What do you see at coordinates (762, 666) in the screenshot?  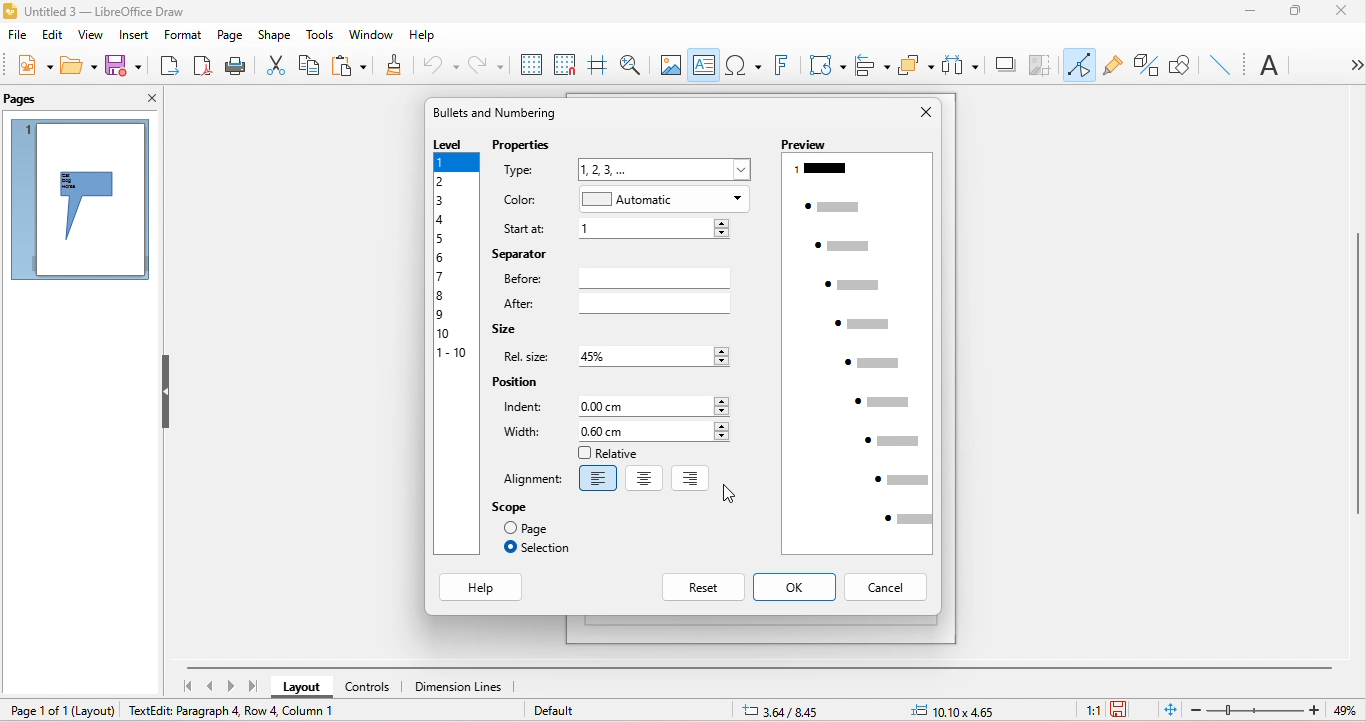 I see `horizontal scroll bar` at bounding box center [762, 666].